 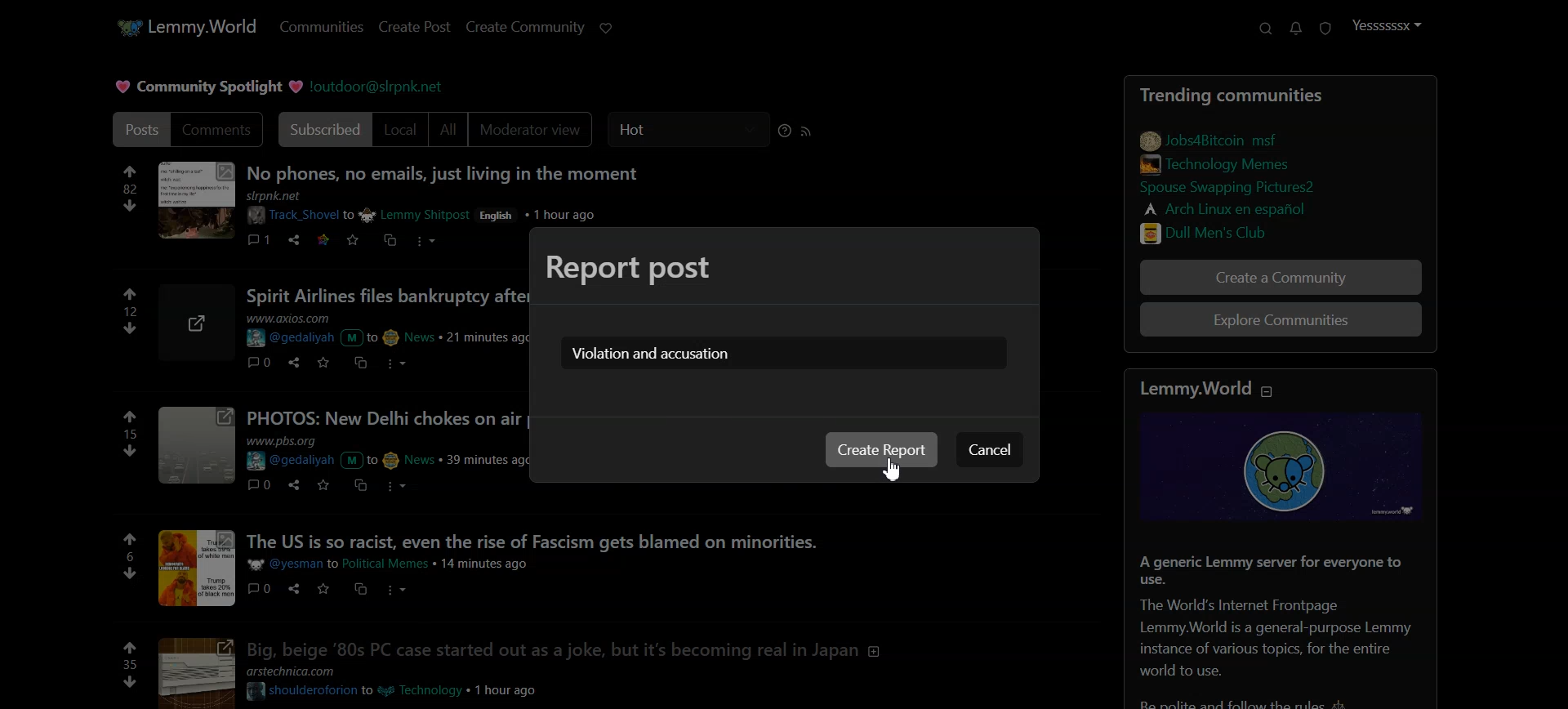 What do you see at coordinates (184, 25) in the screenshot?
I see `Home page` at bounding box center [184, 25].